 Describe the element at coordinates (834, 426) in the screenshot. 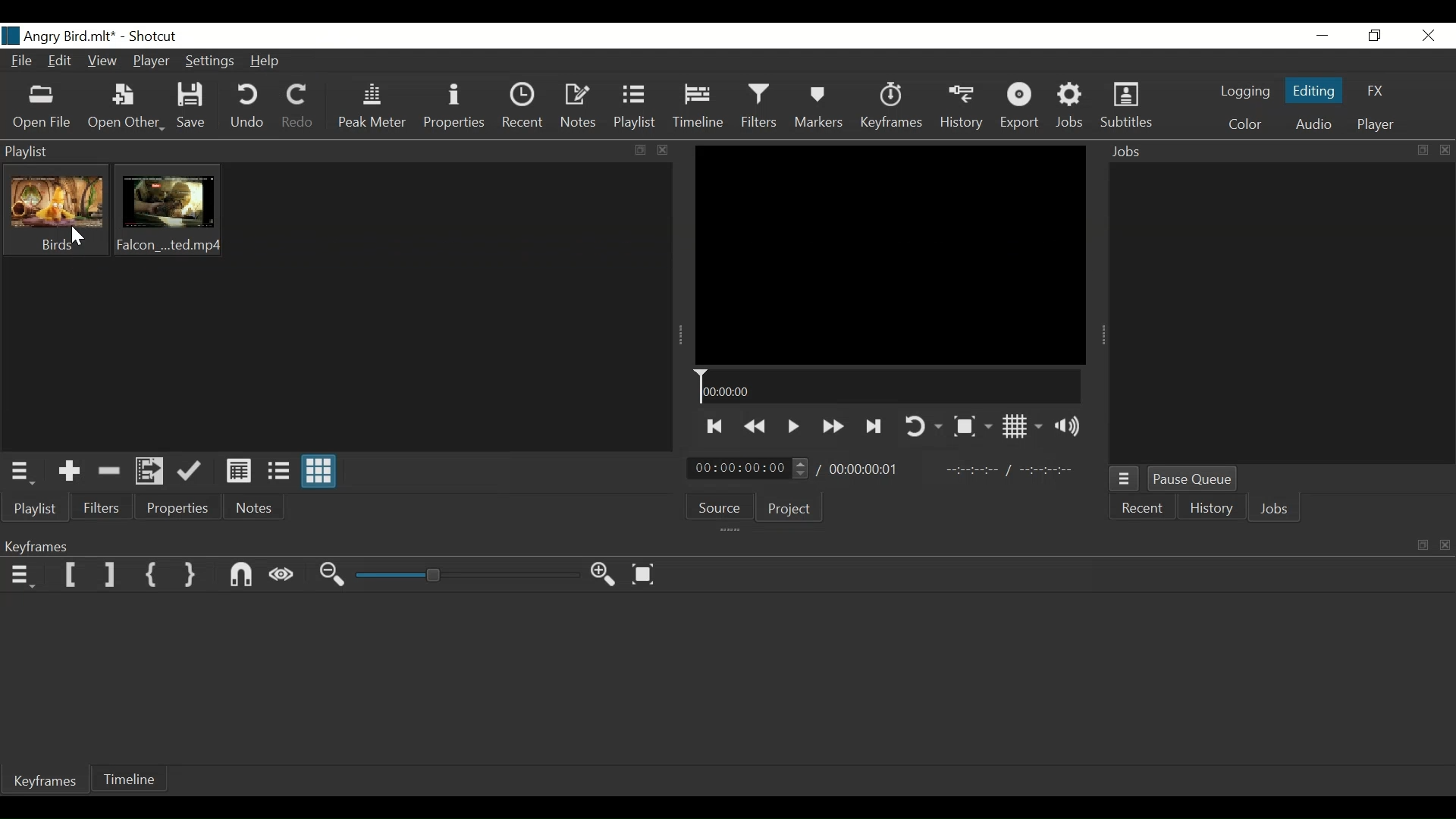

I see `Play forwar quickly` at that location.